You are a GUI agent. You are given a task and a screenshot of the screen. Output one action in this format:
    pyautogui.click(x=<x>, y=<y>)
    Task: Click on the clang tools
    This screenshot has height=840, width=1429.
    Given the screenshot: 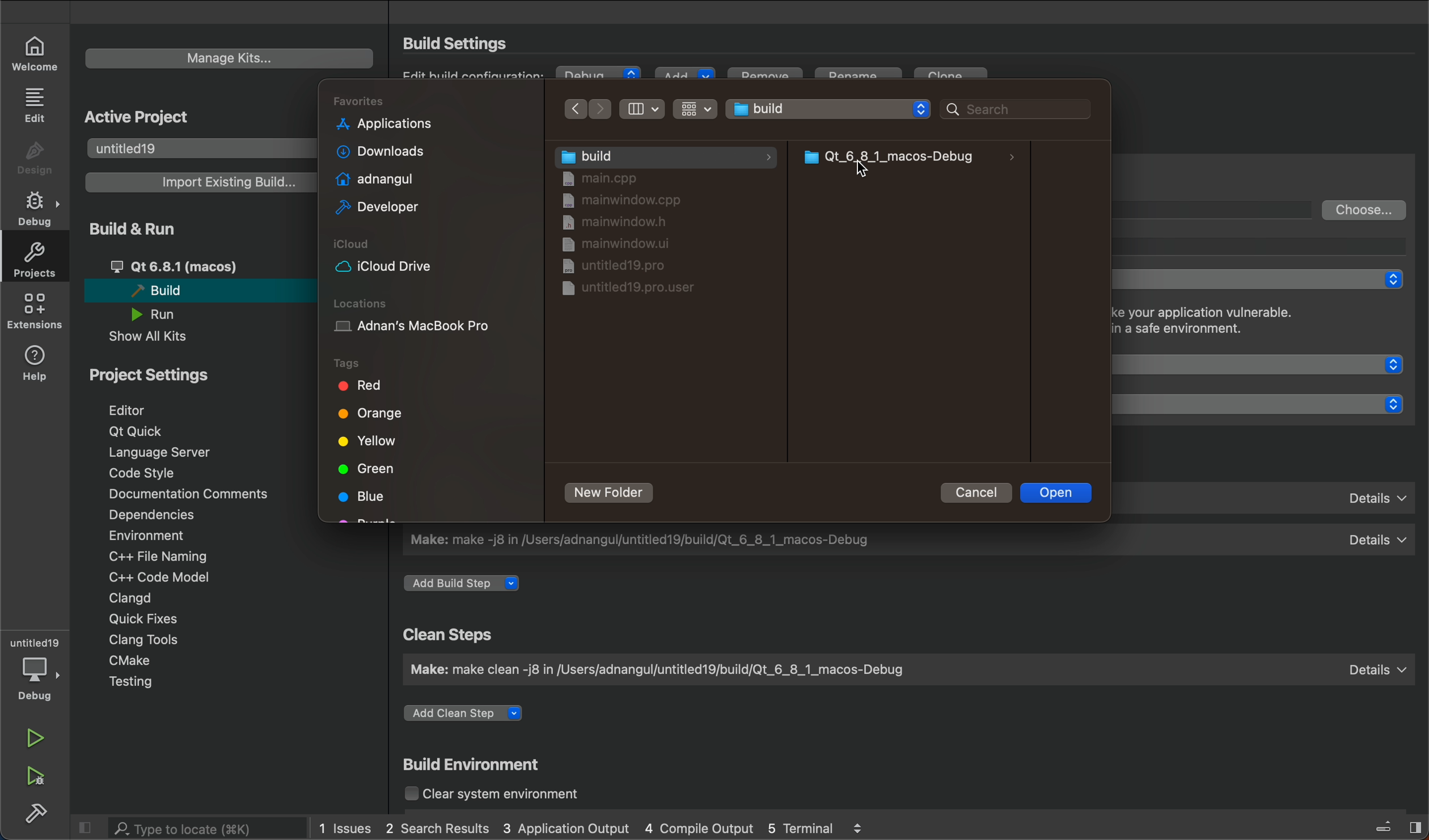 What is the action you would take?
    pyautogui.click(x=141, y=639)
    